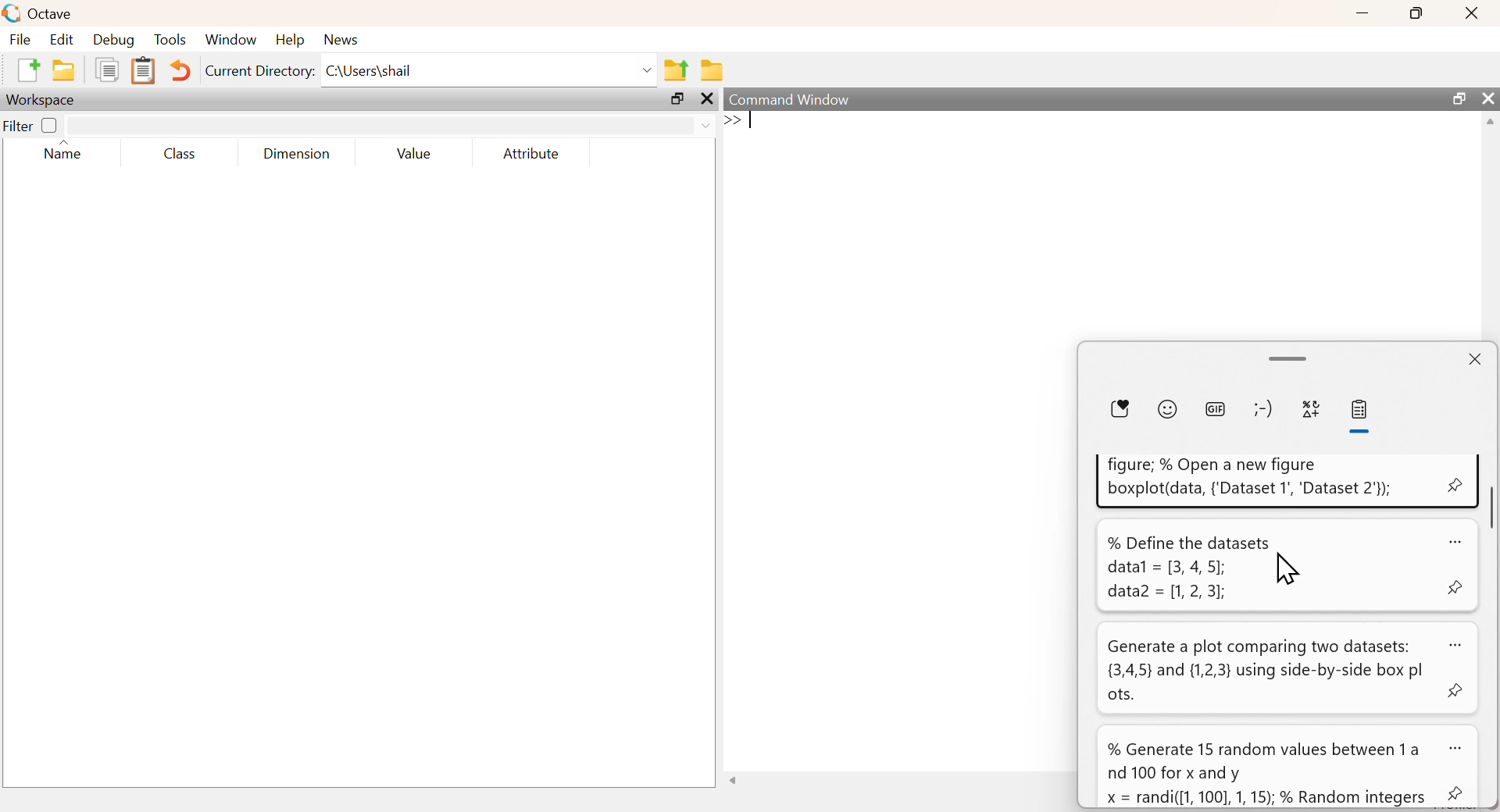  What do you see at coordinates (678, 101) in the screenshot?
I see `maximize` at bounding box center [678, 101].